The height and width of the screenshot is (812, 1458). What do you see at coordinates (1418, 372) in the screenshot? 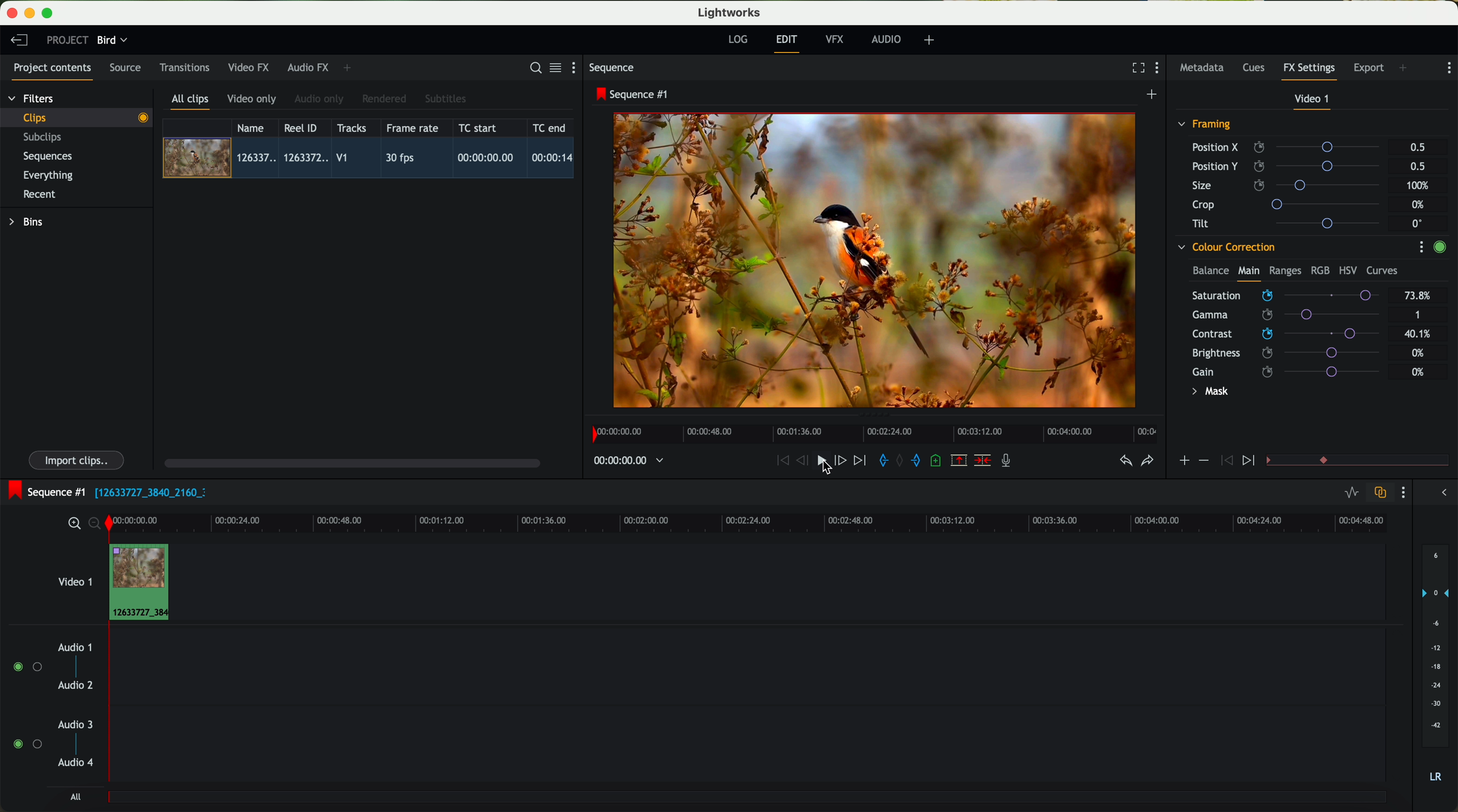
I see `0%` at bounding box center [1418, 372].